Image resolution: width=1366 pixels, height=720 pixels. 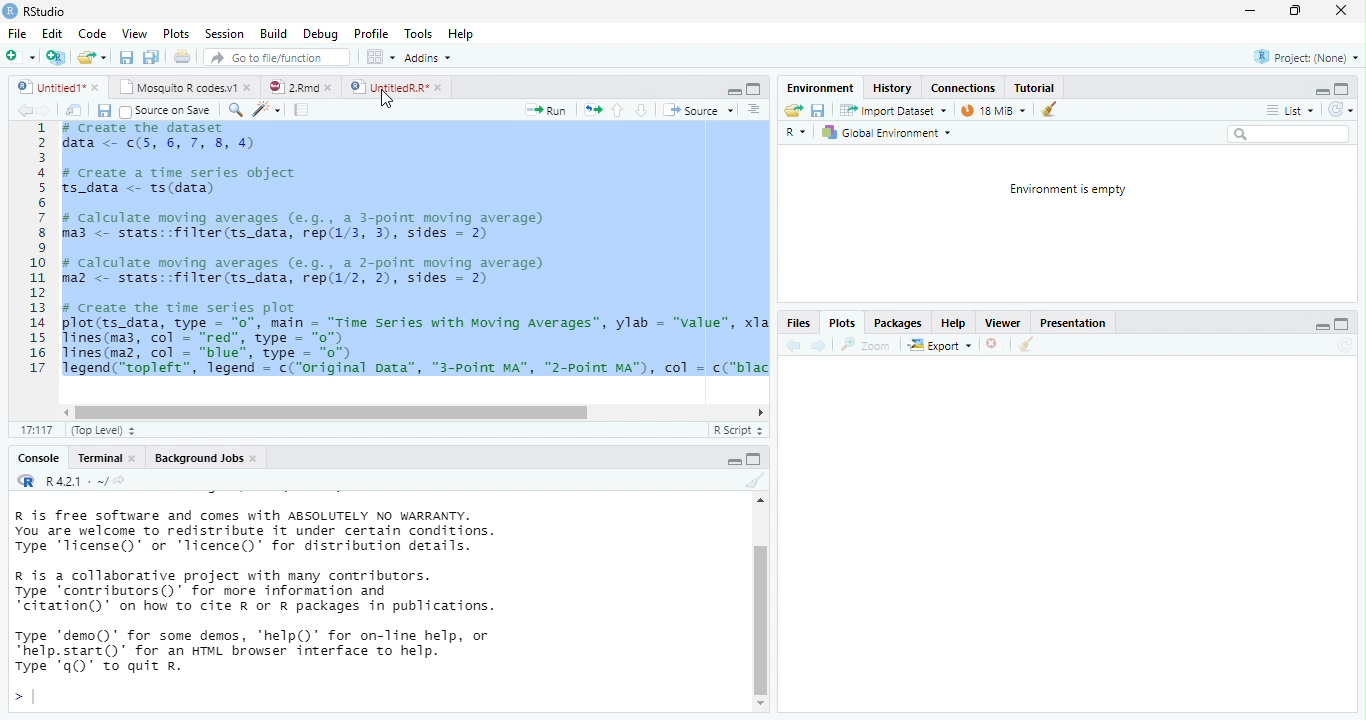 I want to click on List, so click(x=1289, y=111).